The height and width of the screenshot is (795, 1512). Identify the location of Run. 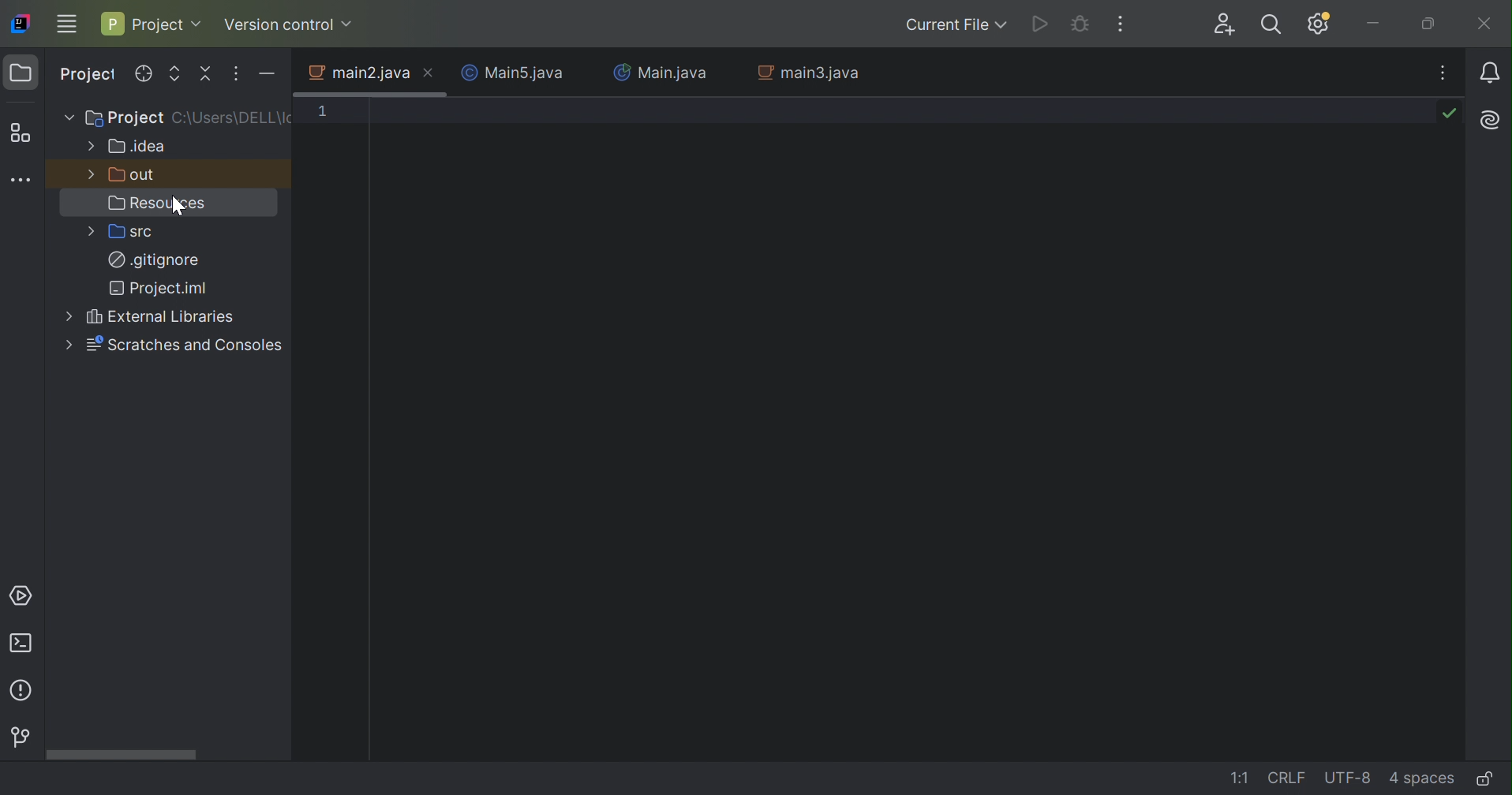
(1039, 23).